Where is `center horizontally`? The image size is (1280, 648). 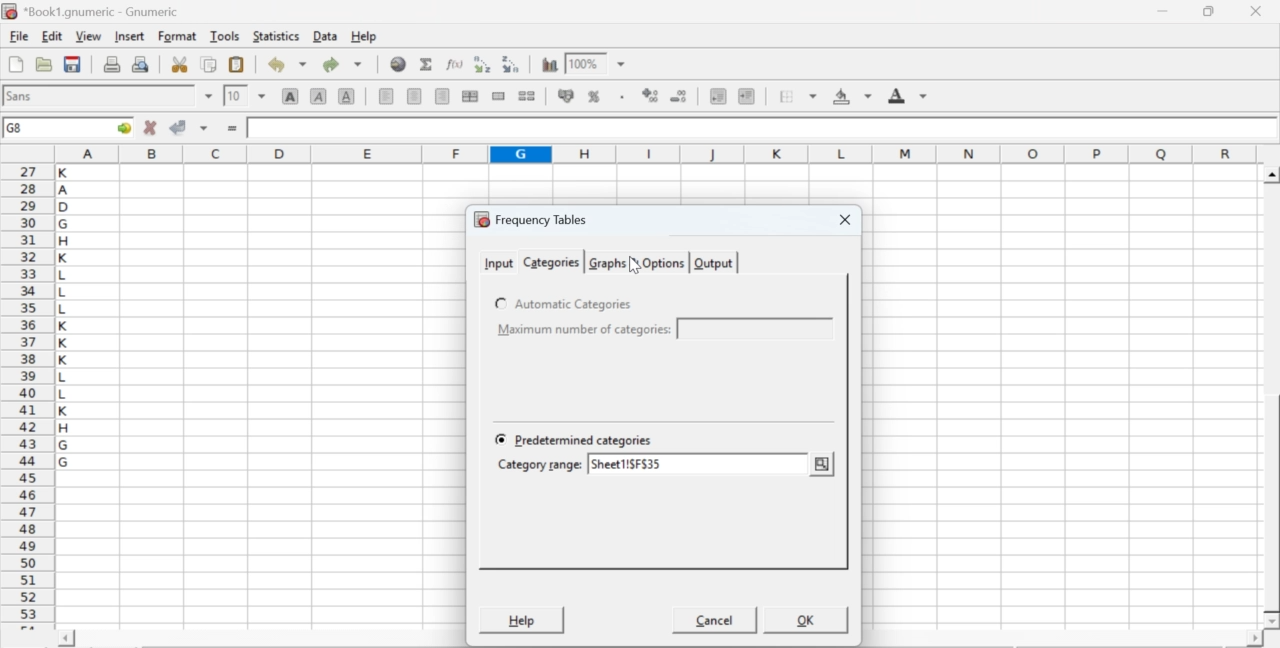
center horizontally is located at coordinates (415, 96).